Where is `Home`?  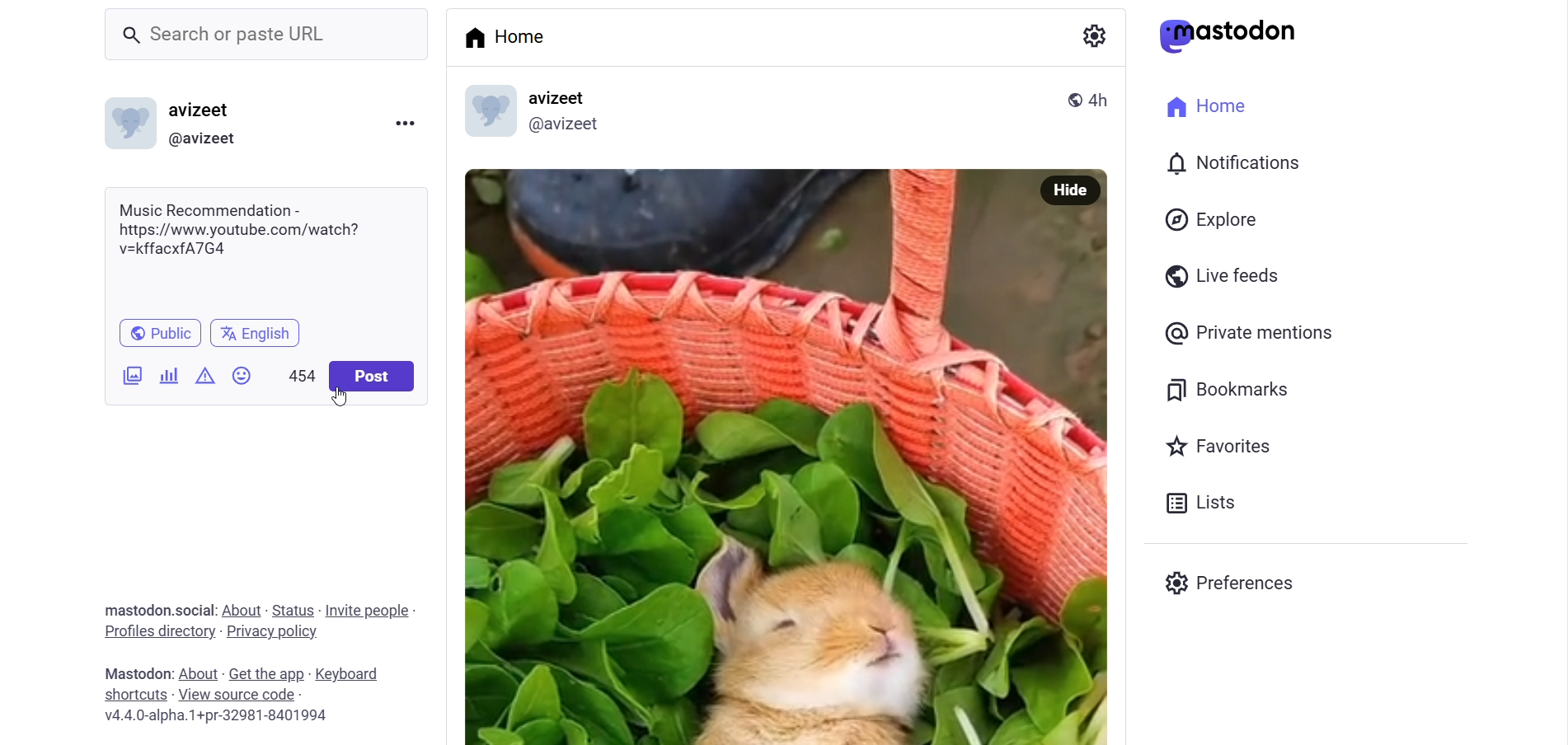
Home is located at coordinates (507, 38).